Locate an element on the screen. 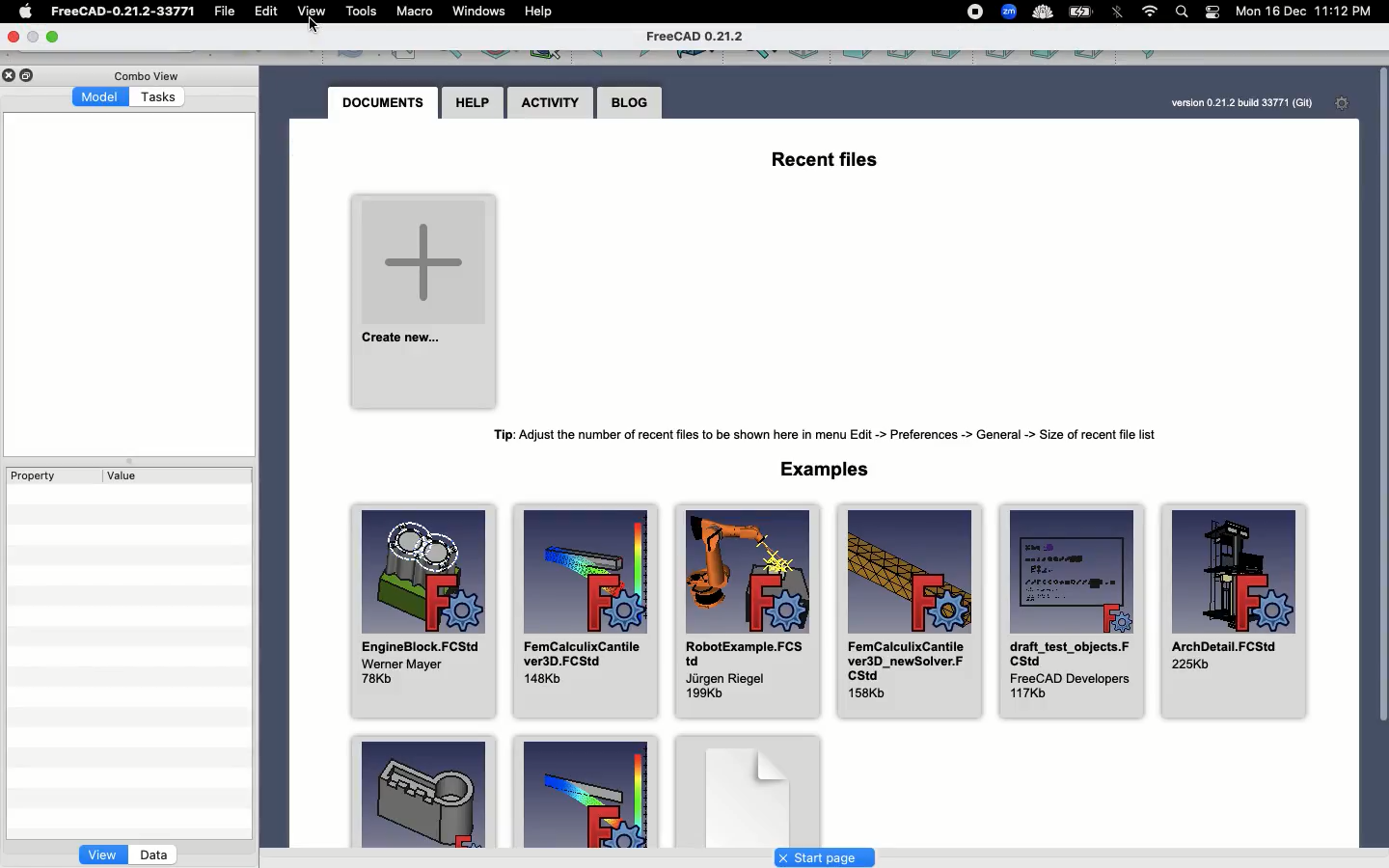 This screenshot has width=1389, height=868. version 0.21.2 bulld 33771 (Git) is located at coordinates (1239, 102).